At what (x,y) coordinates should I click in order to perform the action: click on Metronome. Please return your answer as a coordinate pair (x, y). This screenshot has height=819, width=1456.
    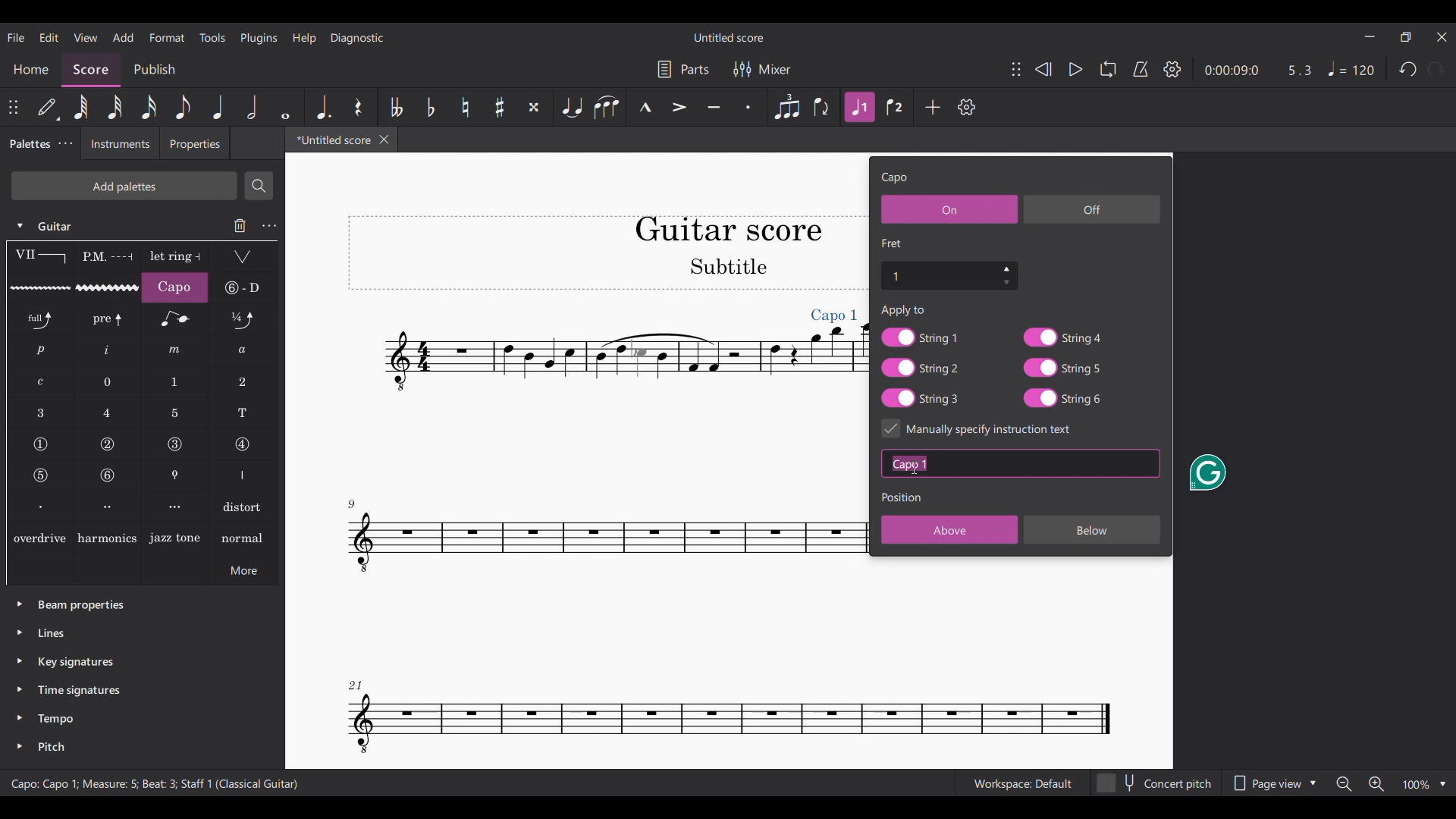
    Looking at the image, I should click on (1141, 69).